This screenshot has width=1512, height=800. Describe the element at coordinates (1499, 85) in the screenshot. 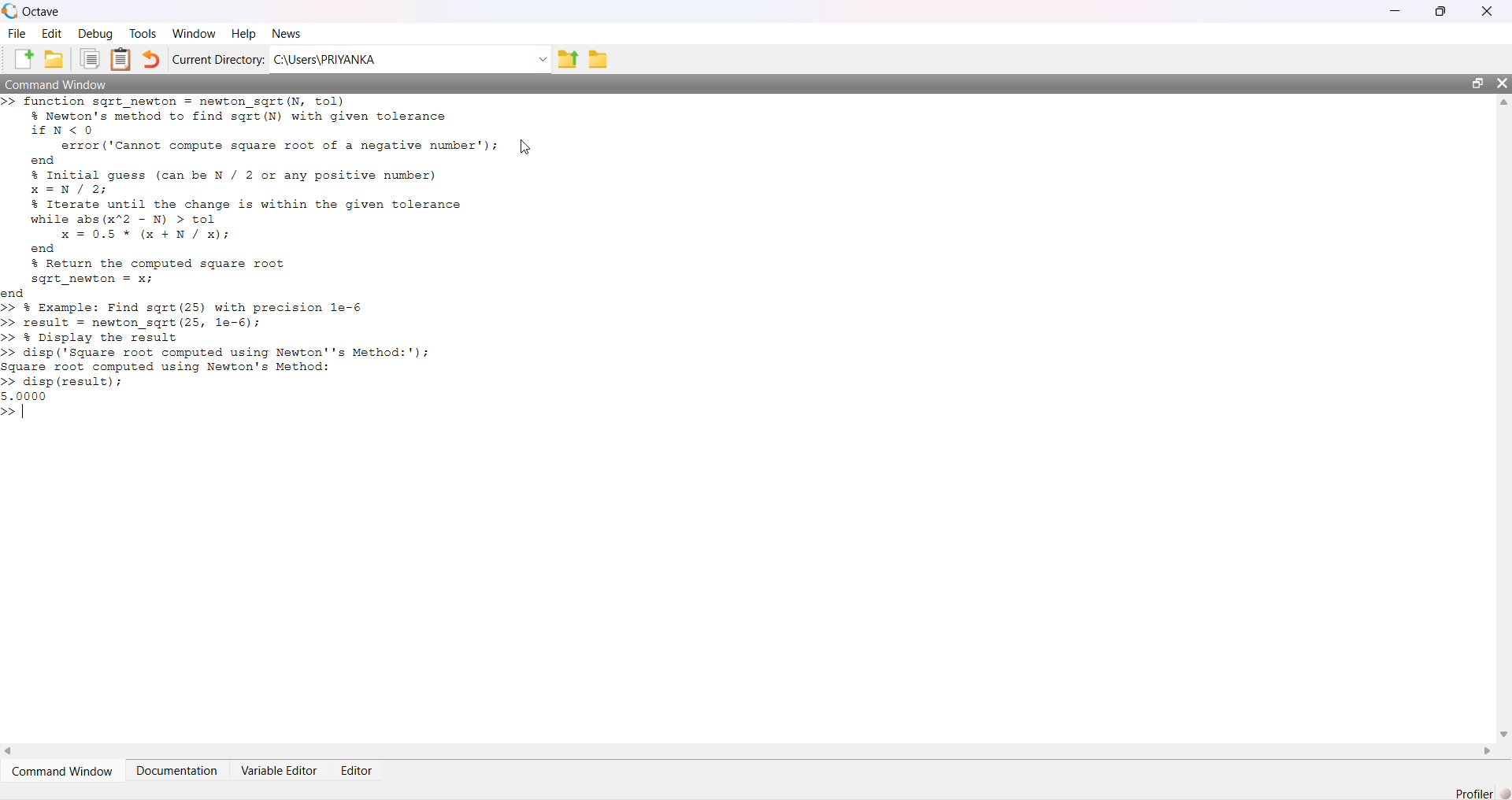

I see `Close` at that location.